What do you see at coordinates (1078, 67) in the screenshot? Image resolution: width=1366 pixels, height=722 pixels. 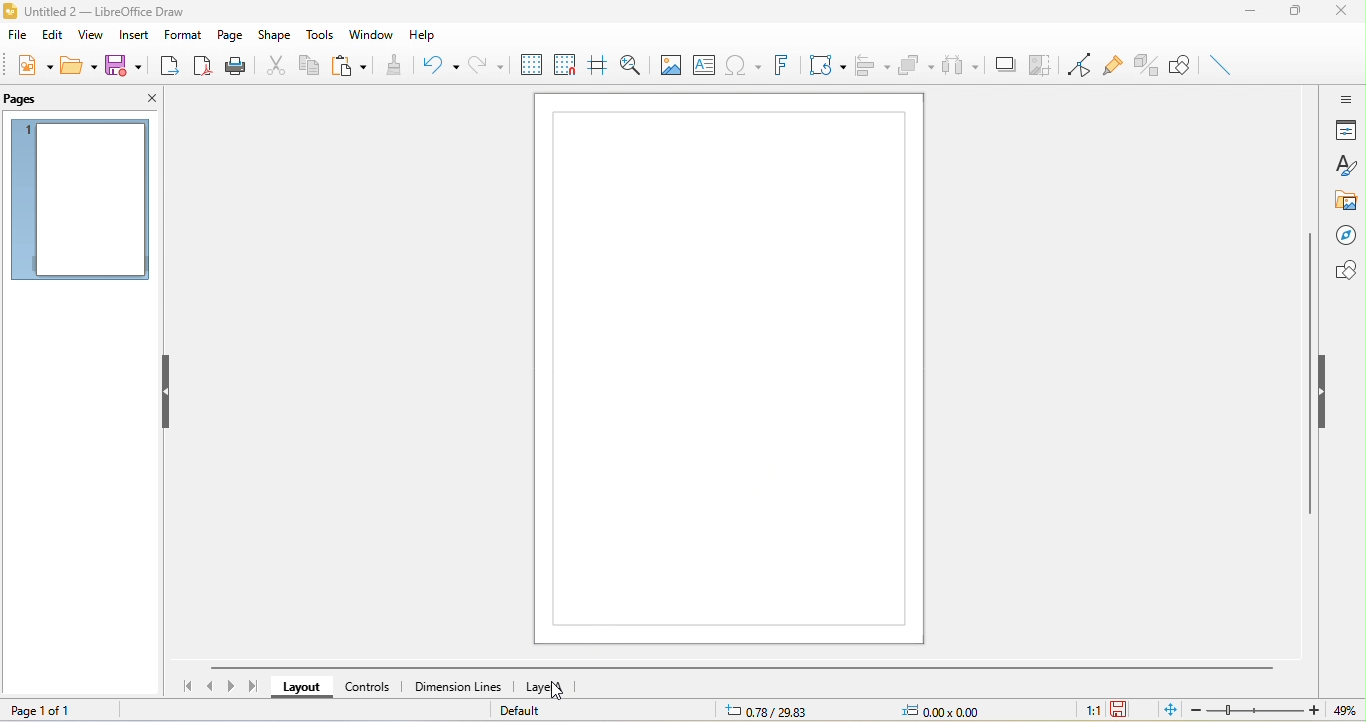 I see `toggle point edit mode` at bounding box center [1078, 67].